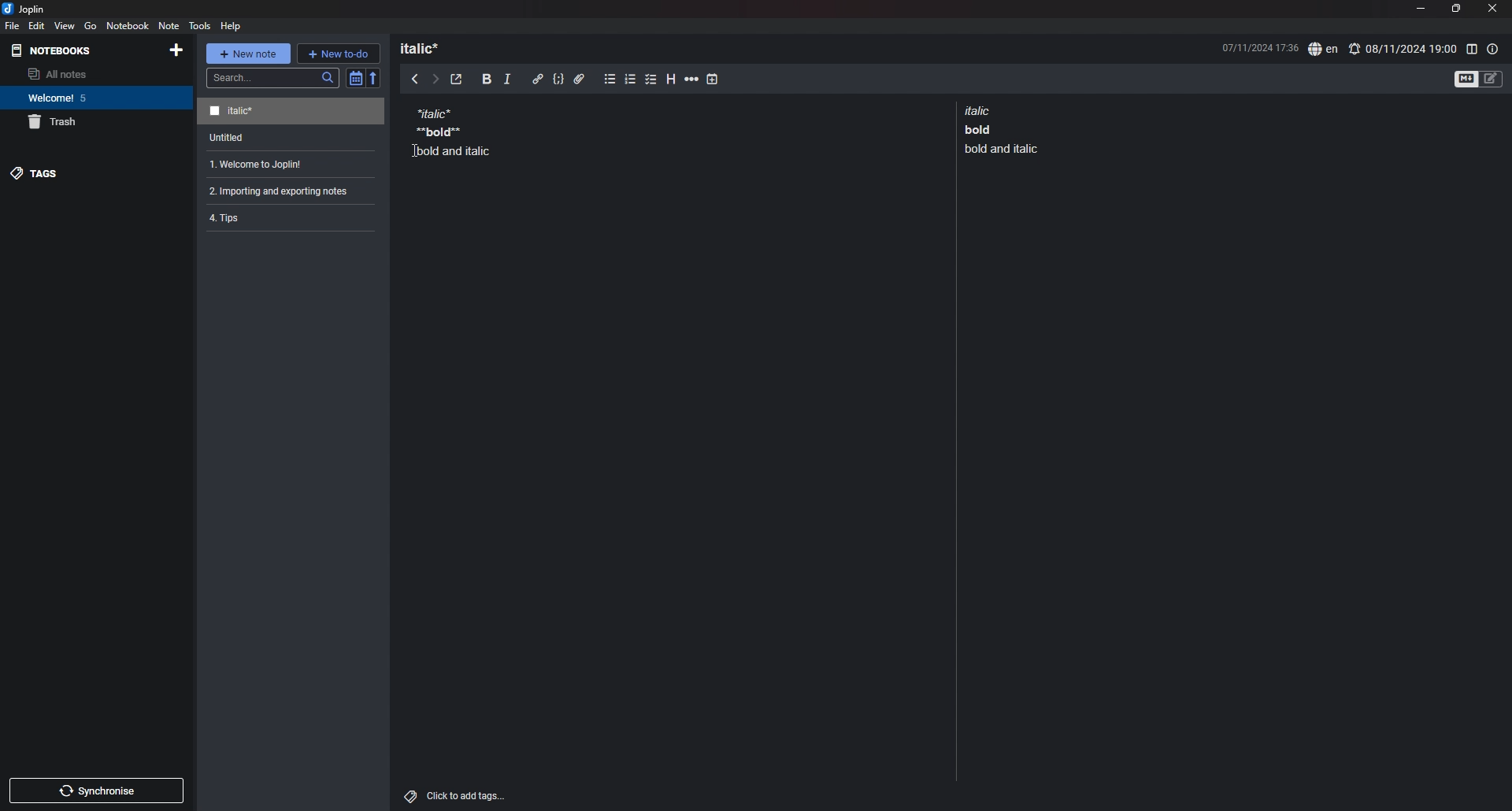 Image resolution: width=1512 pixels, height=811 pixels. Describe the element at coordinates (487, 80) in the screenshot. I see `bold` at that location.